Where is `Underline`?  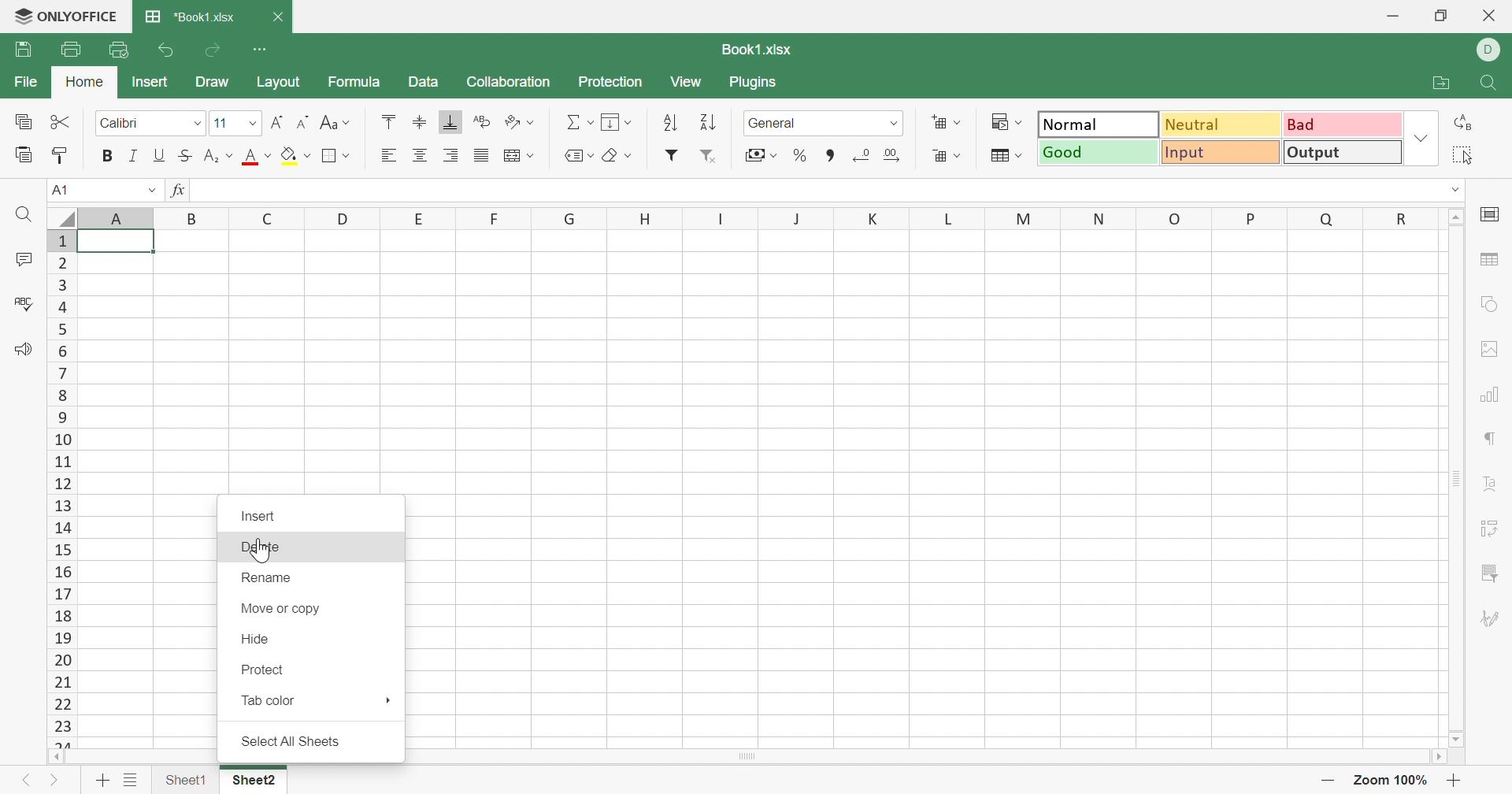
Underline is located at coordinates (160, 155).